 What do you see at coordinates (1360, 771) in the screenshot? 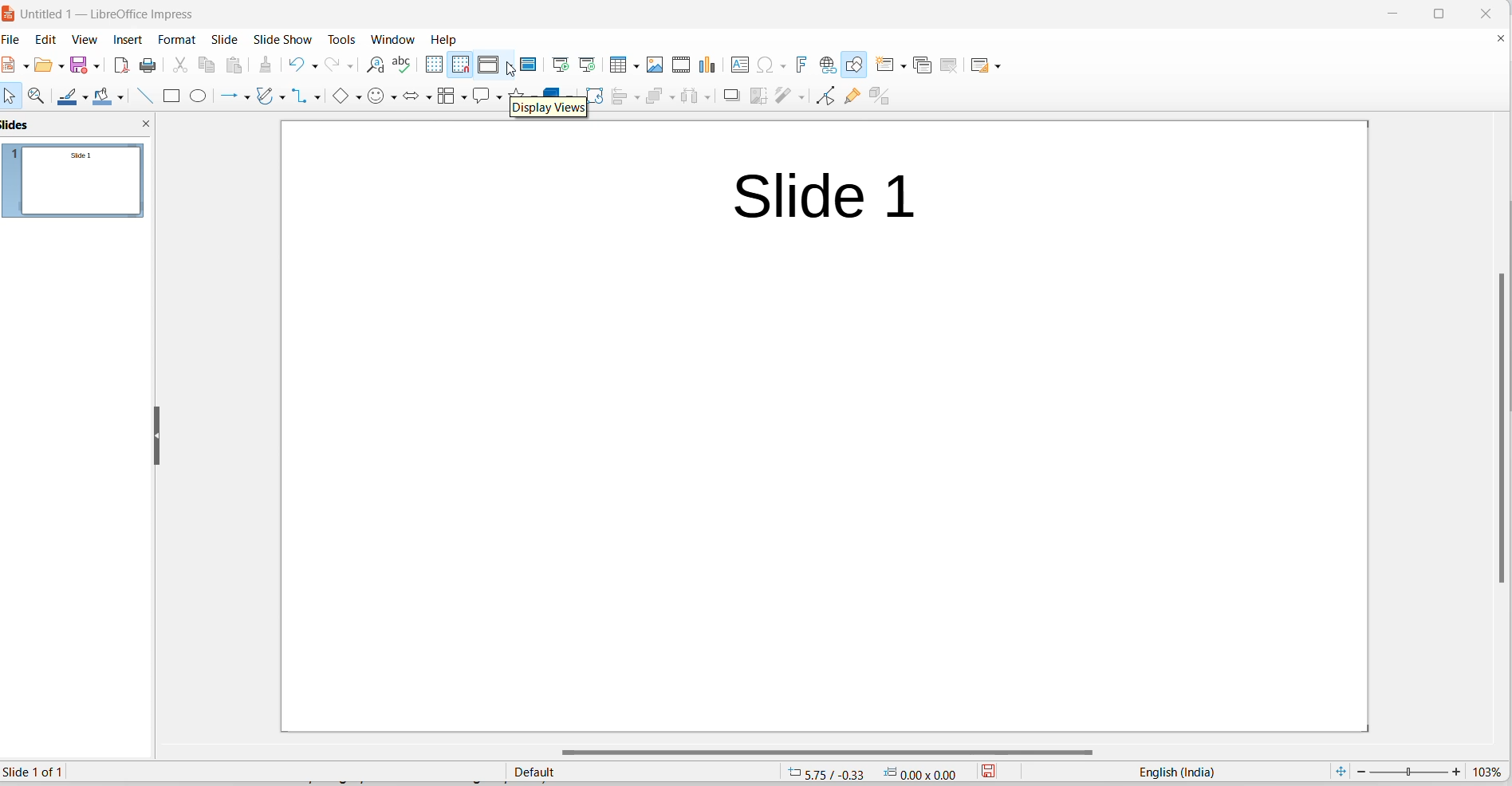
I see `decrease zoom` at bounding box center [1360, 771].